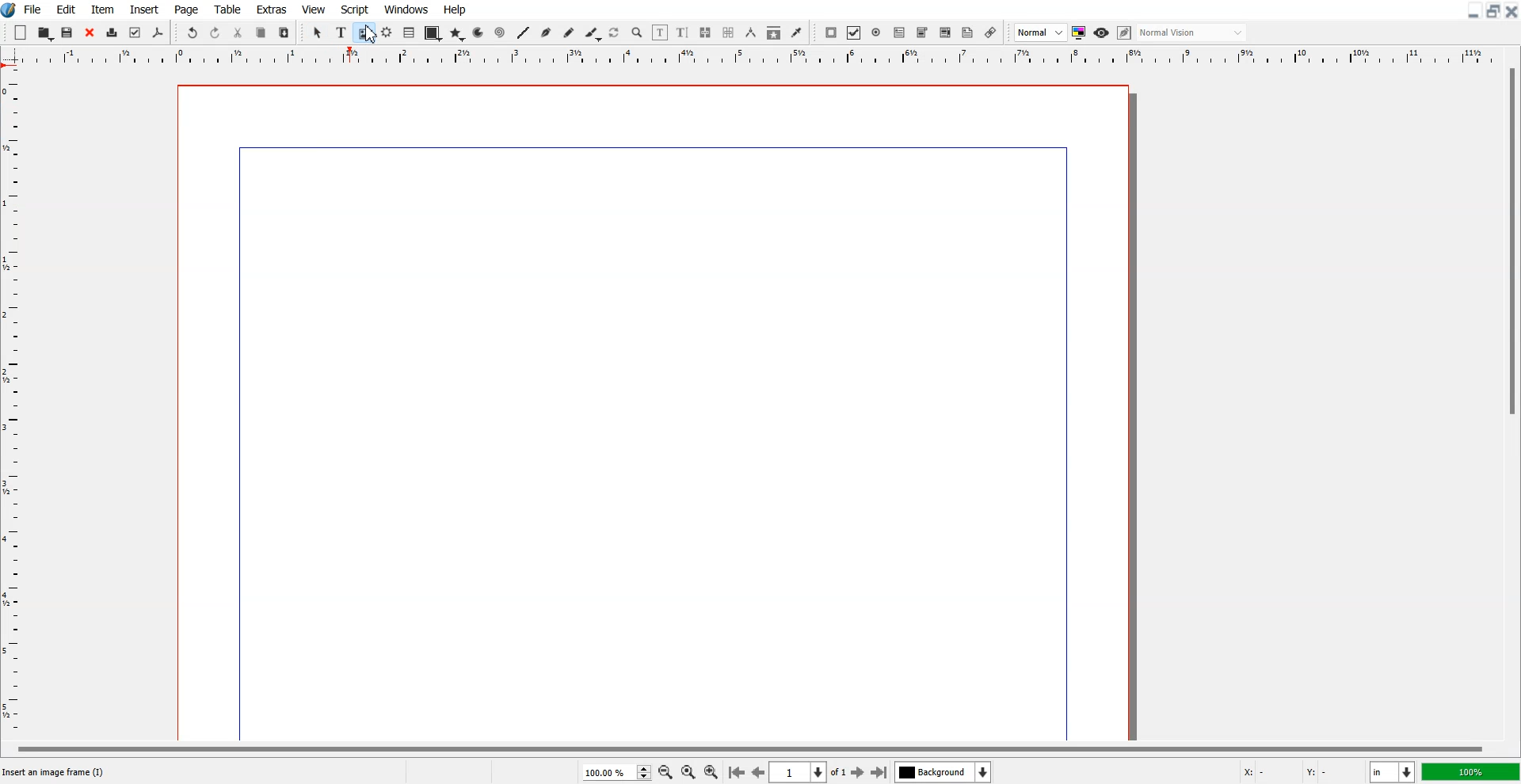 The width and height of the screenshot is (1521, 784). What do you see at coordinates (409, 33) in the screenshot?
I see `Table` at bounding box center [409, 33].